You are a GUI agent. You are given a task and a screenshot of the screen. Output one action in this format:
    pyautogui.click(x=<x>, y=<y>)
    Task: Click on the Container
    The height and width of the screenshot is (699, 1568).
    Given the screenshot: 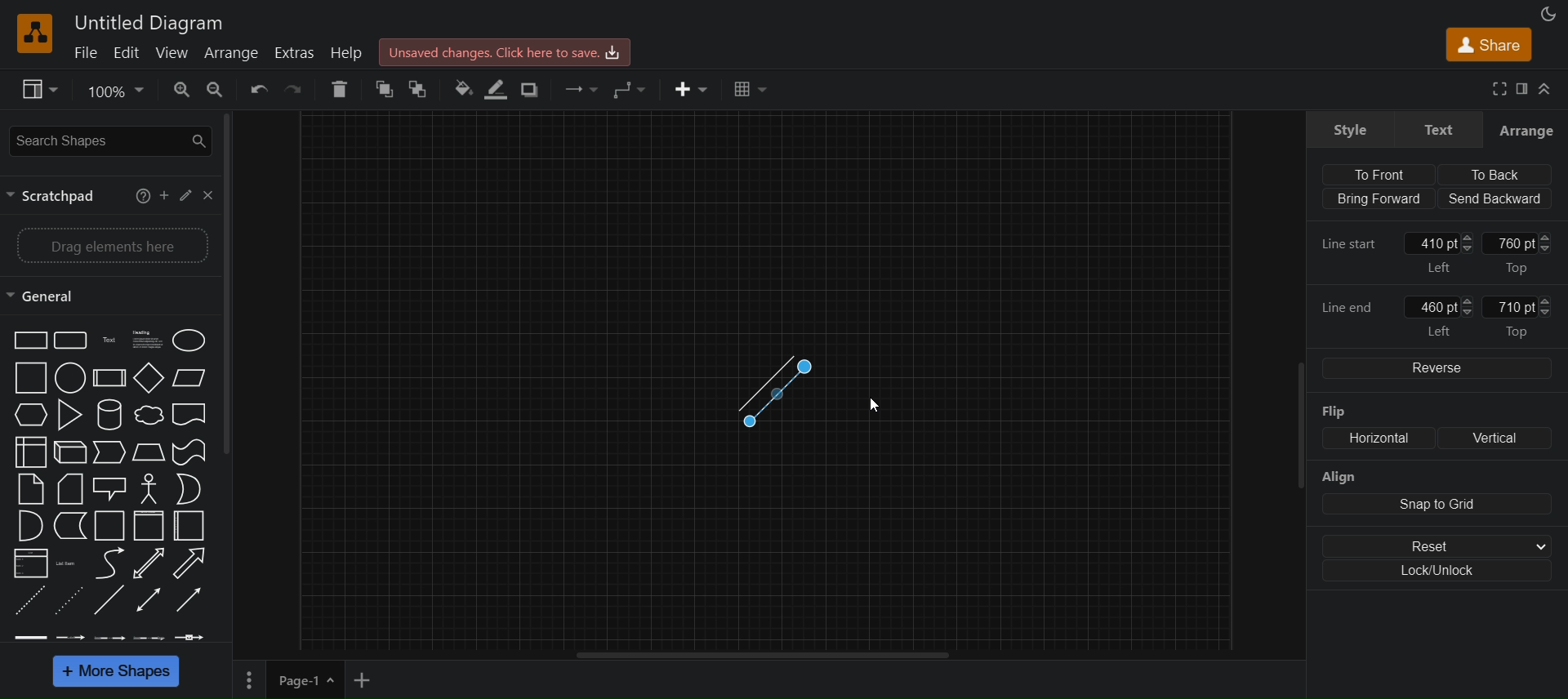 What is the action you would take?
    pyautogui.click(x=106, y=525)
    